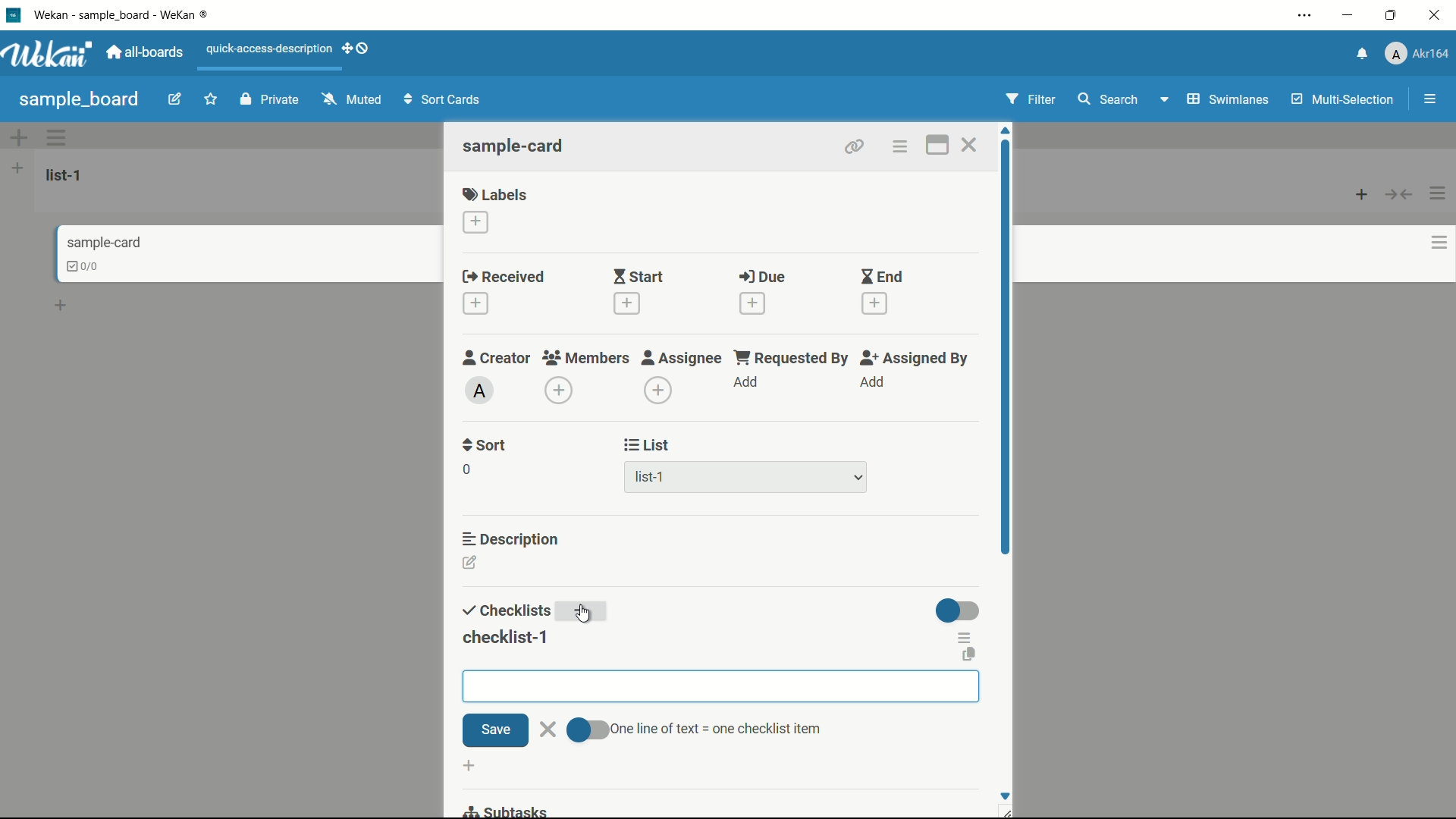 The width and height of the screenshot is (1456, 819). I want to click on dropdown, so click(858, 479).